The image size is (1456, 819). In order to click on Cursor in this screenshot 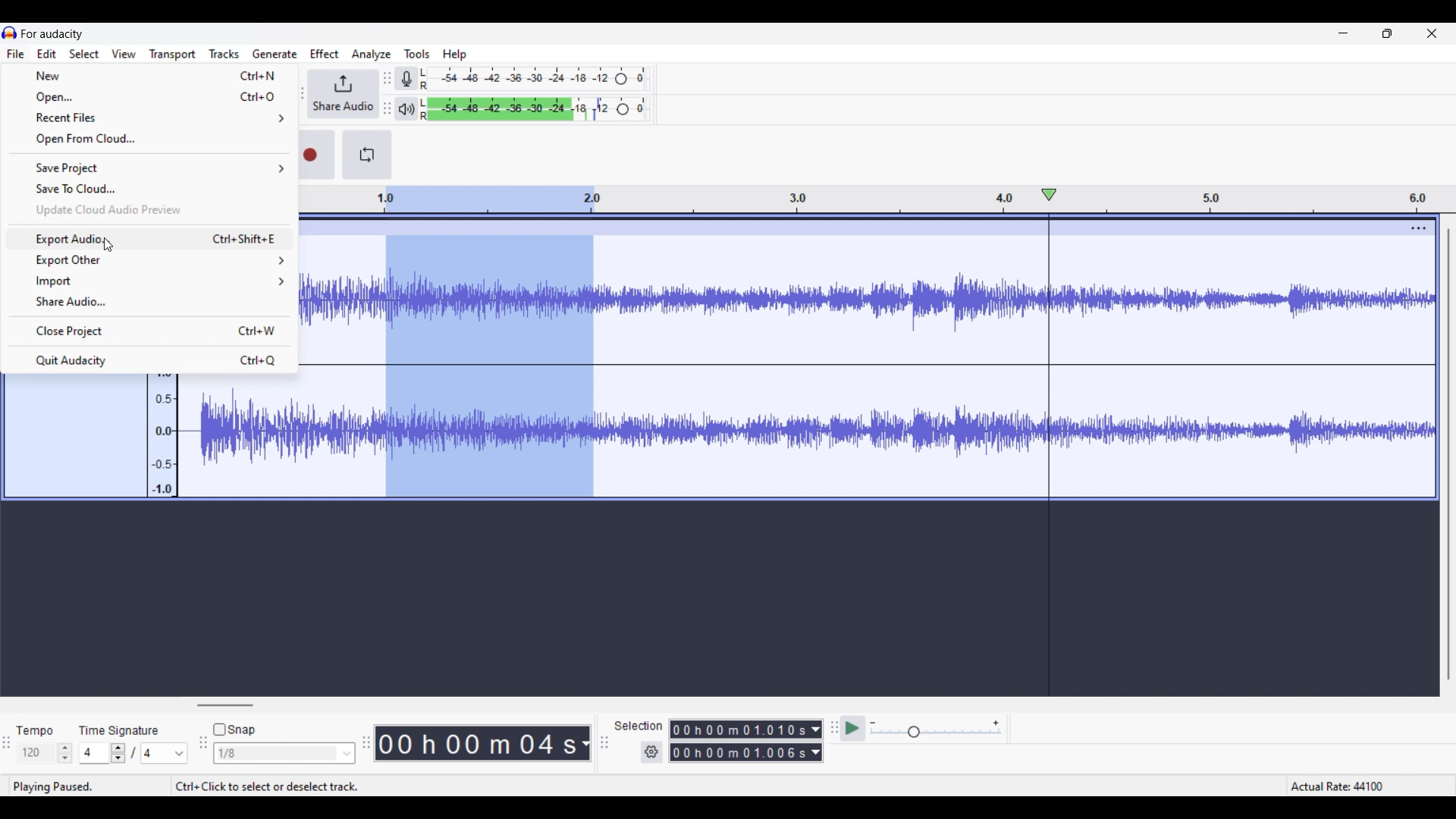, I will do `click(110, 245)`.